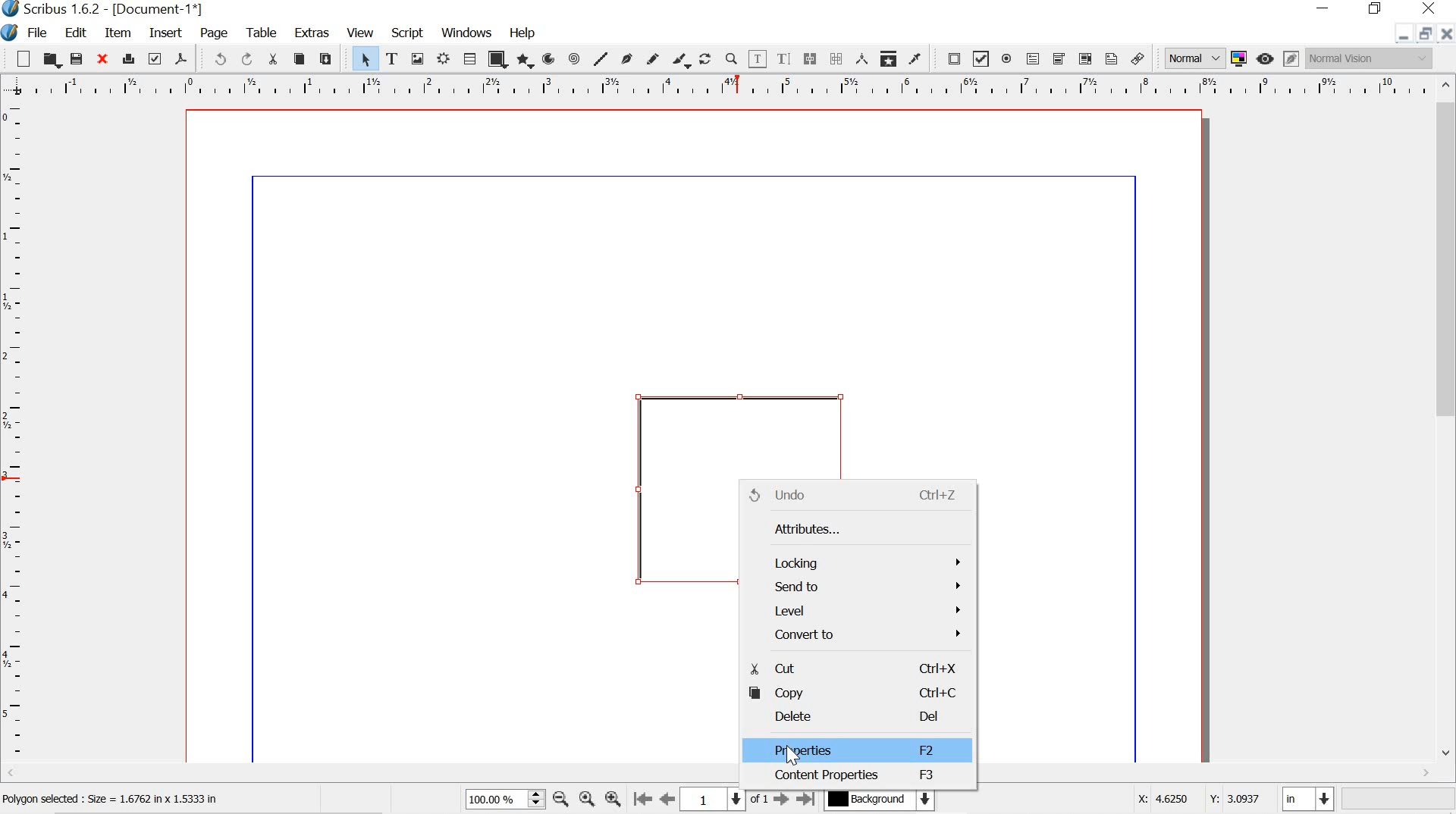  What do you see at coordinates (155, 58) in the screenshot?
I see `preflight verifier` at bounding box center [155, 58].